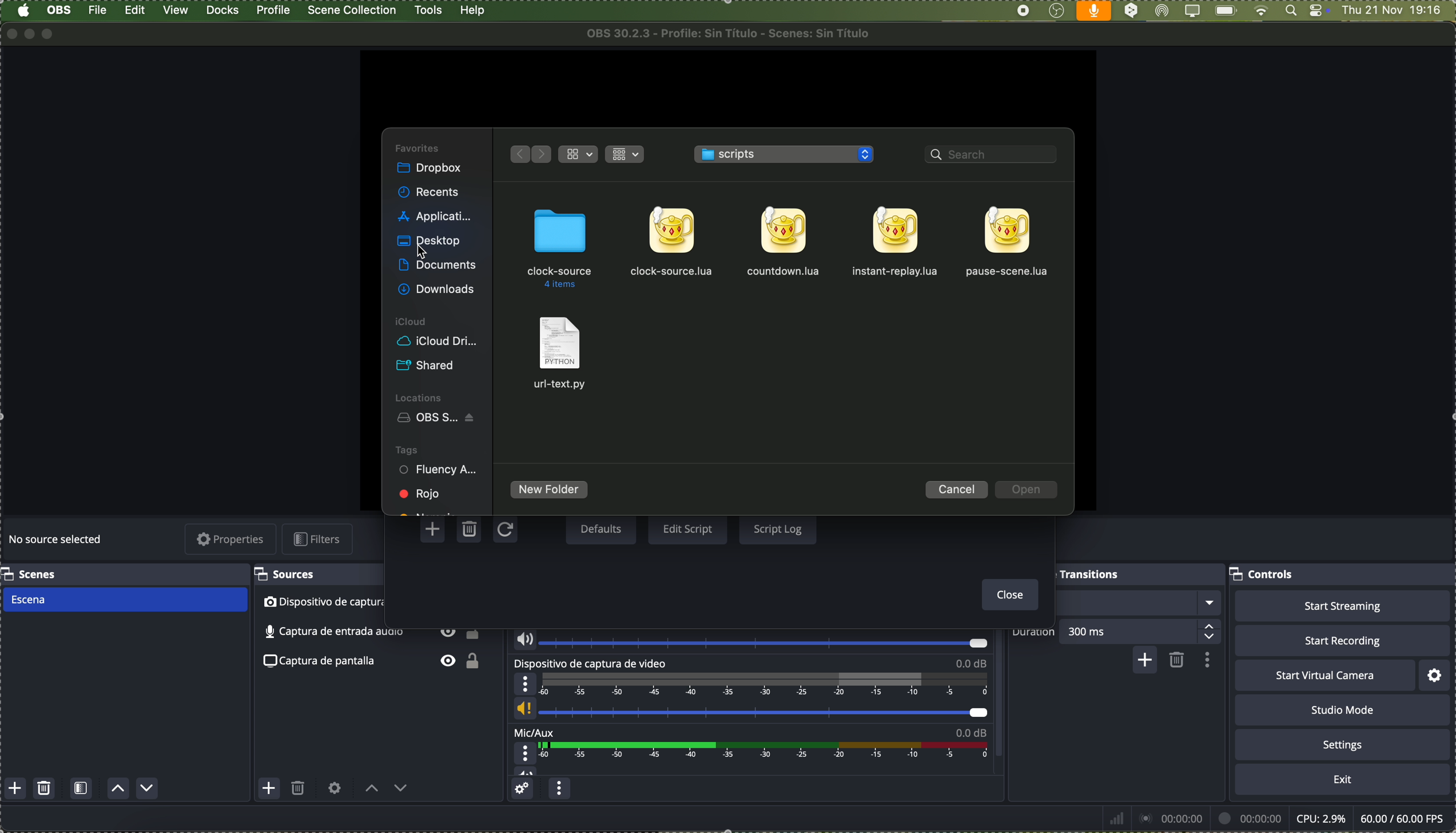  Describe the element at coordinates (421, 493) in the screenshot. I see `red tag` at that location.